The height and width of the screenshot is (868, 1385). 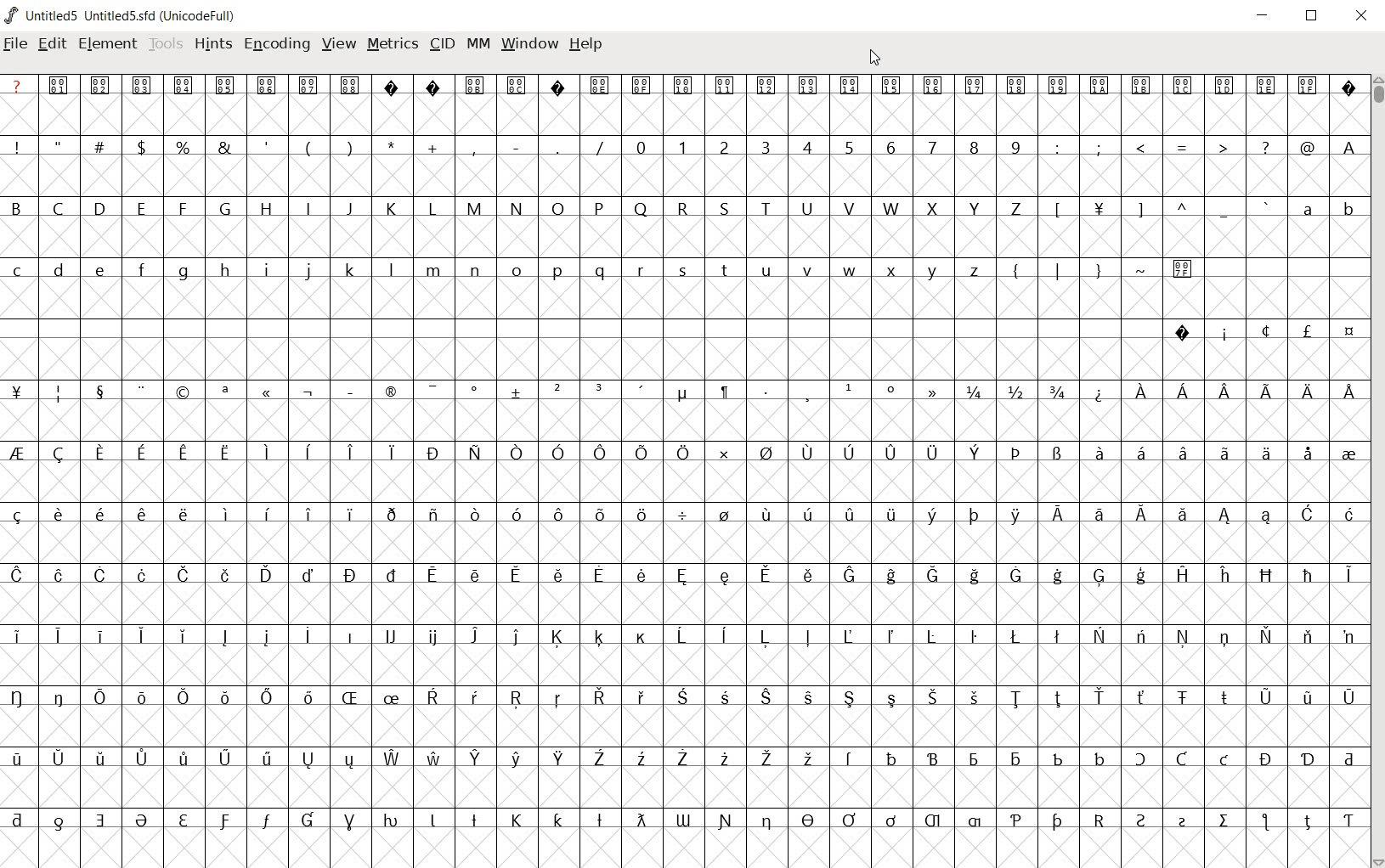 I want to click on I, so click(x=308, y=209).